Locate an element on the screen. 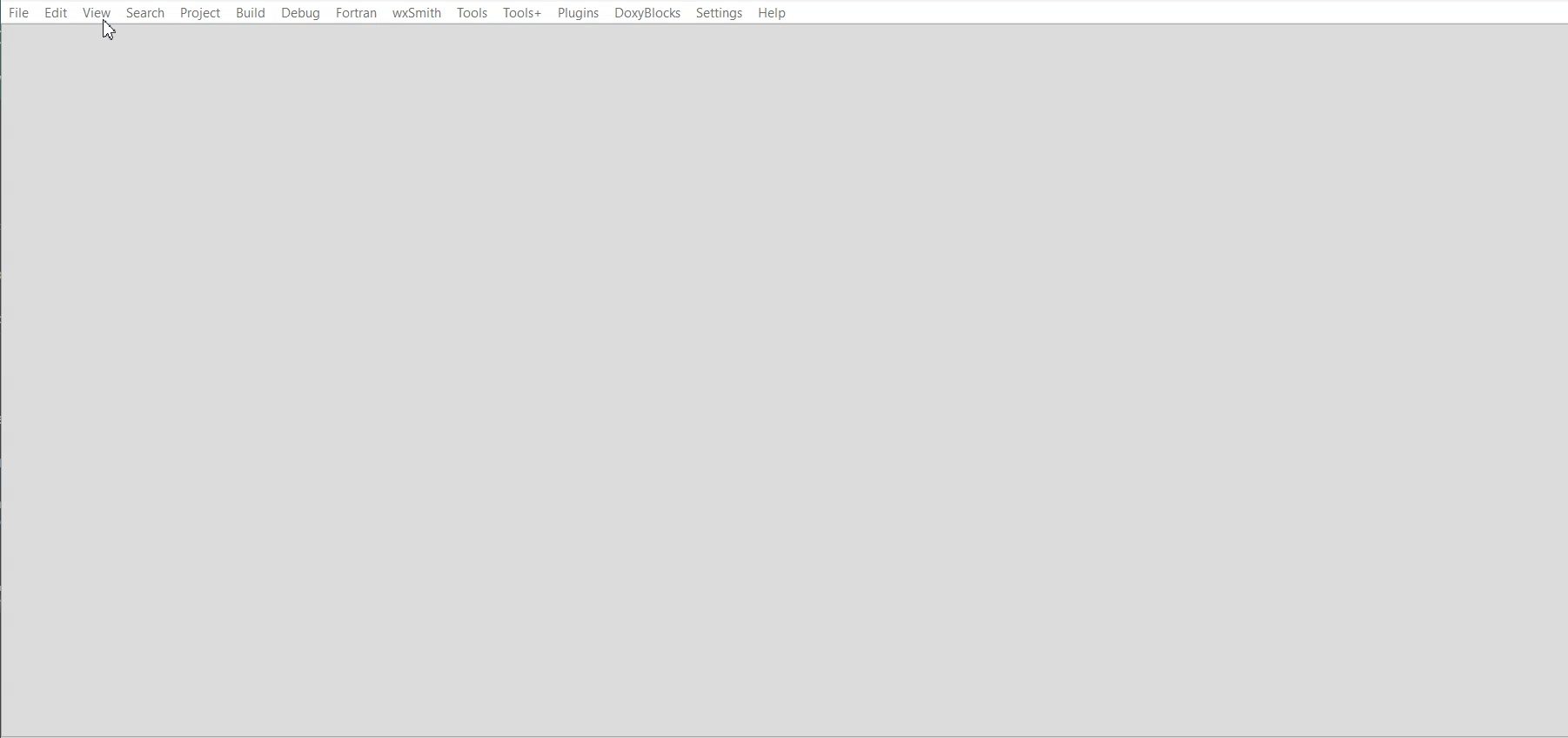 The width and height of the screenshot is (1568, 738). Tools+ is located at coordinates (522, 13).